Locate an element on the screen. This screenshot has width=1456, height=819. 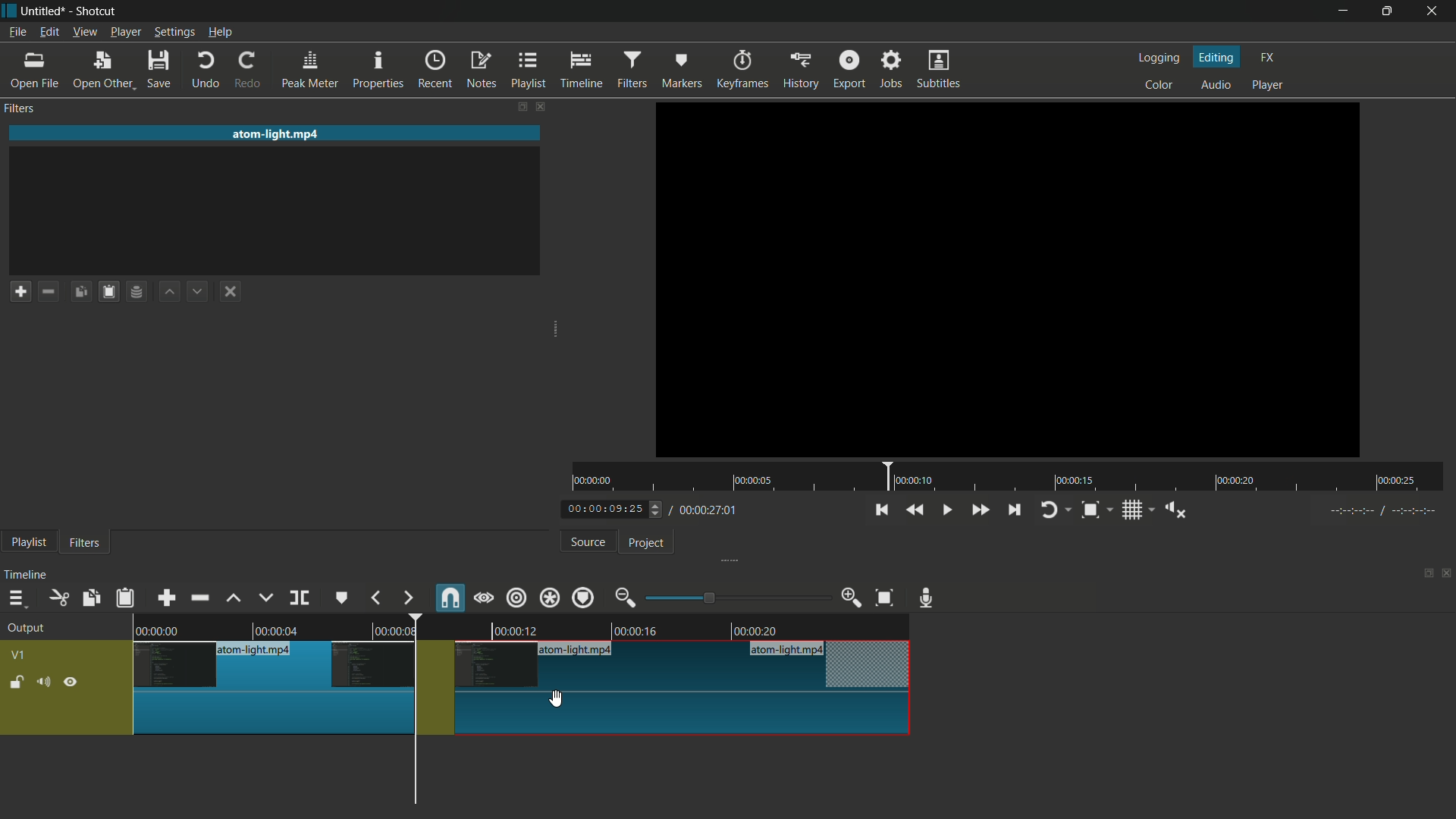
timeline is located at coordinates (584, 71).